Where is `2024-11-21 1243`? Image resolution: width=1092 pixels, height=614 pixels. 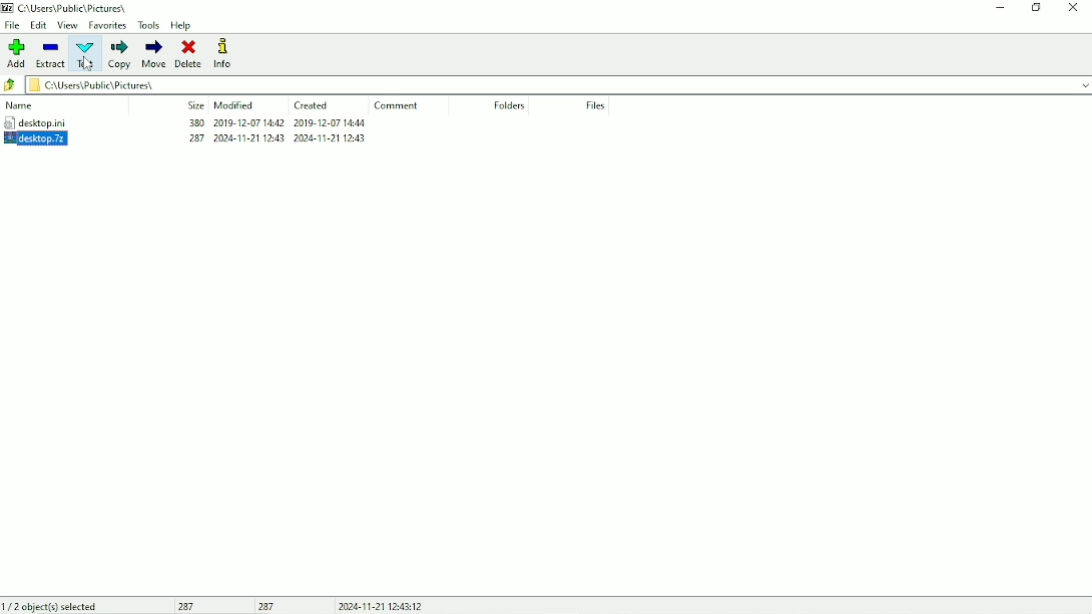 2024-11-21 1243 is located at coordinates (330, 140).